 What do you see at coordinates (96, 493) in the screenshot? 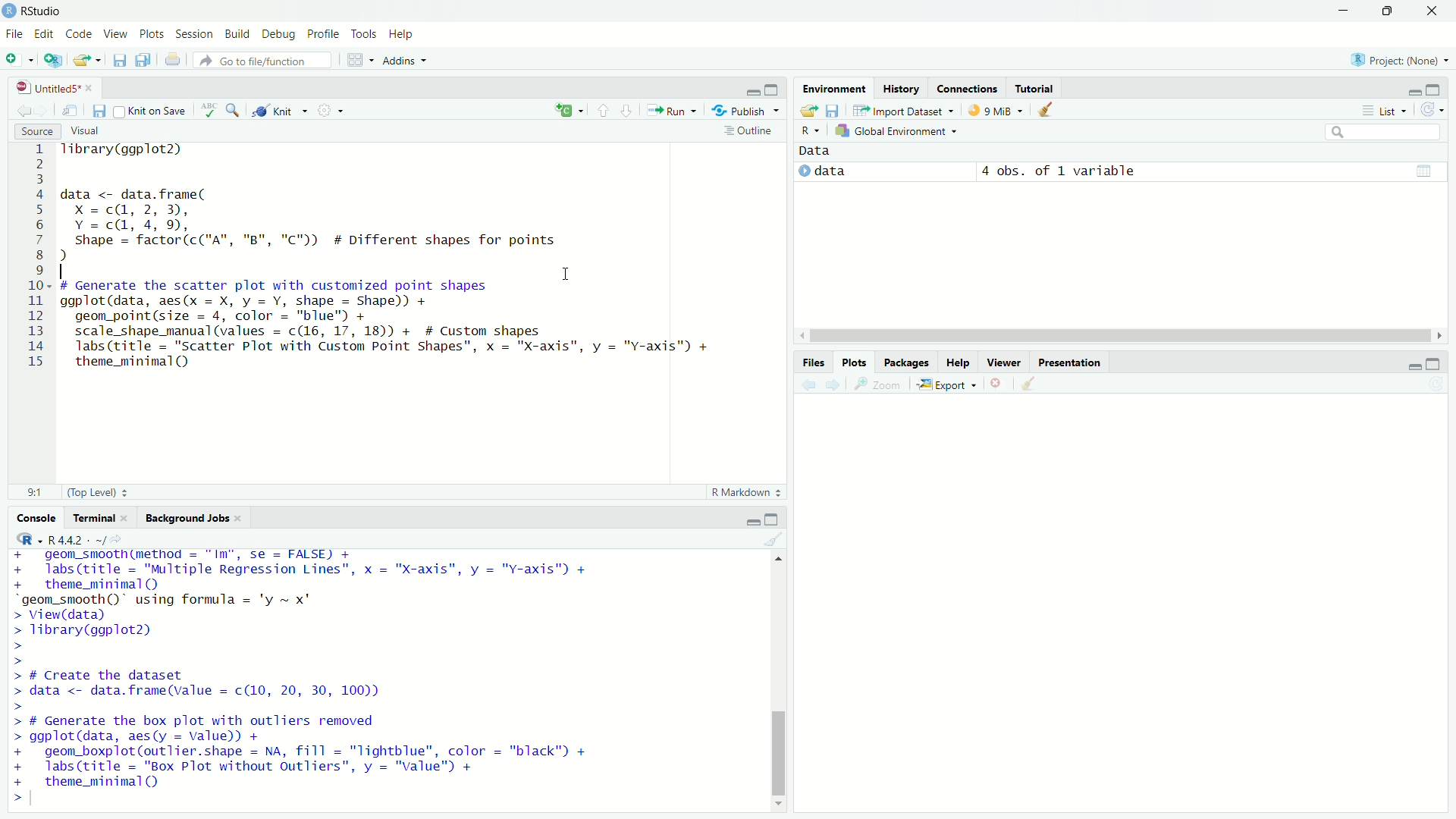
I see `(Top Level)` at bounding box center [96, 493].